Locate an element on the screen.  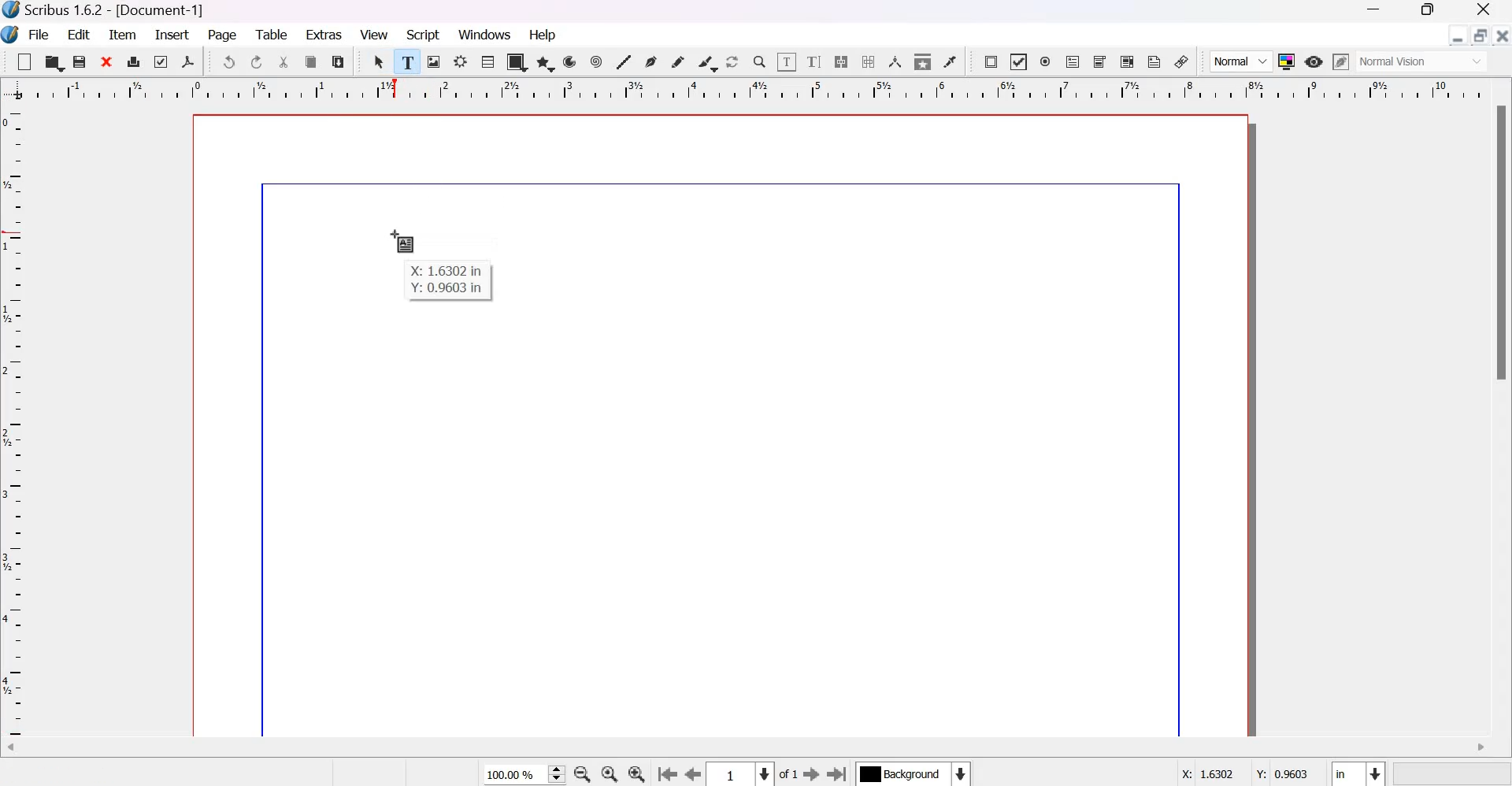
select the current unit is located at coordinates (1358, 772).